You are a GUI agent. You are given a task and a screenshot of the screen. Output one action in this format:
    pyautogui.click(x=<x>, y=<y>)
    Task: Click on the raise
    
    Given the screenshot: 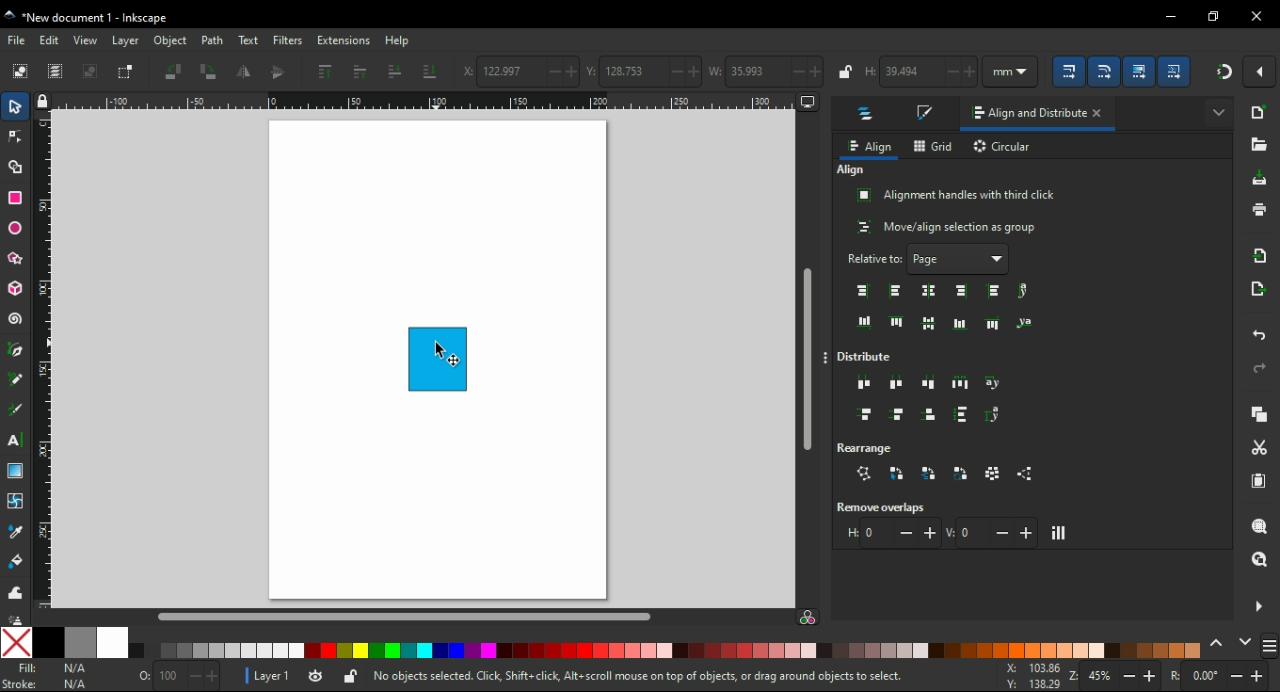 What is the action you would take?
    pyautogui.click(x=362, y=72)
    